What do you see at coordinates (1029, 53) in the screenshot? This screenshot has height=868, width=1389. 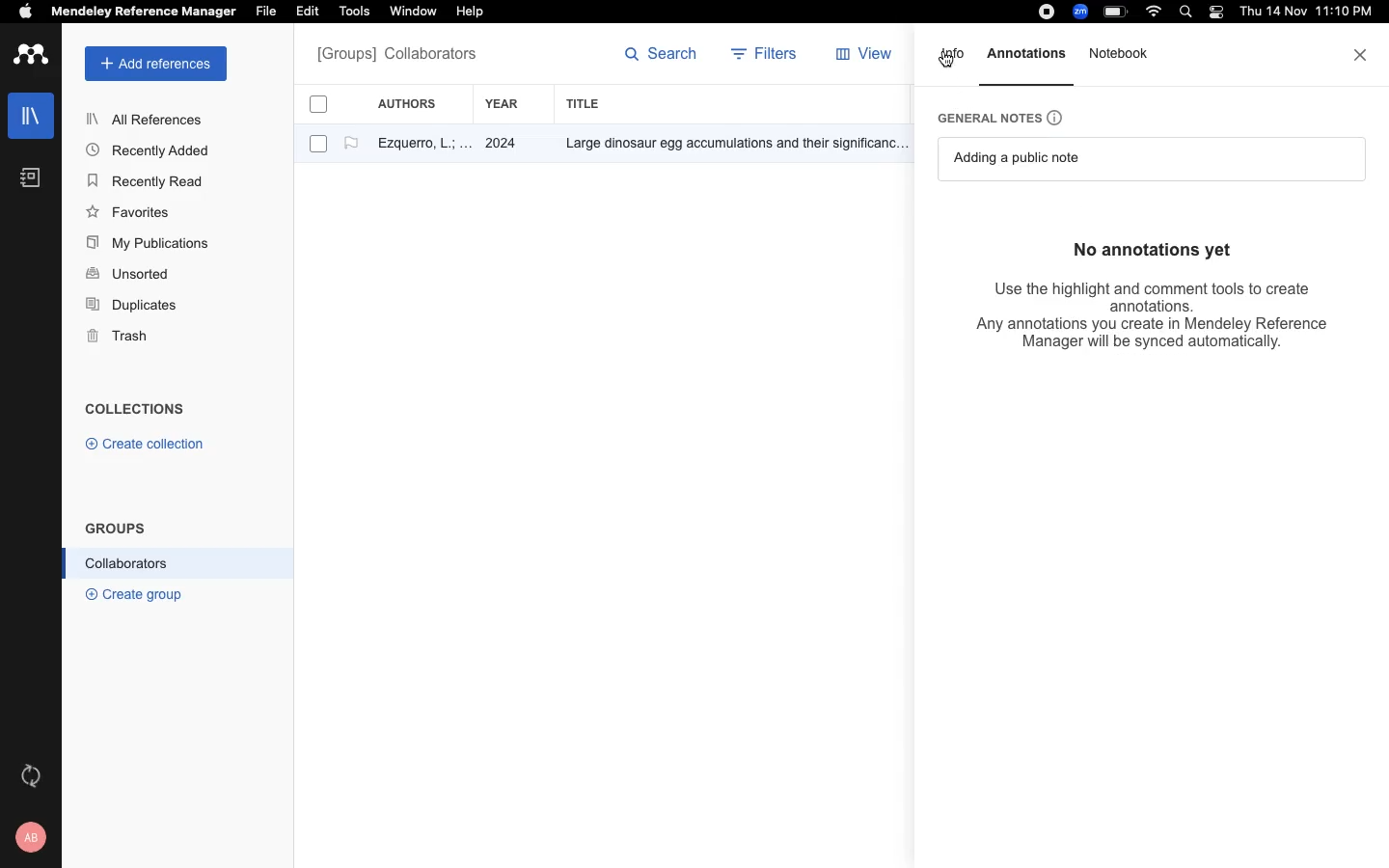 I see `annotations` at bounding box center [1029, 53].